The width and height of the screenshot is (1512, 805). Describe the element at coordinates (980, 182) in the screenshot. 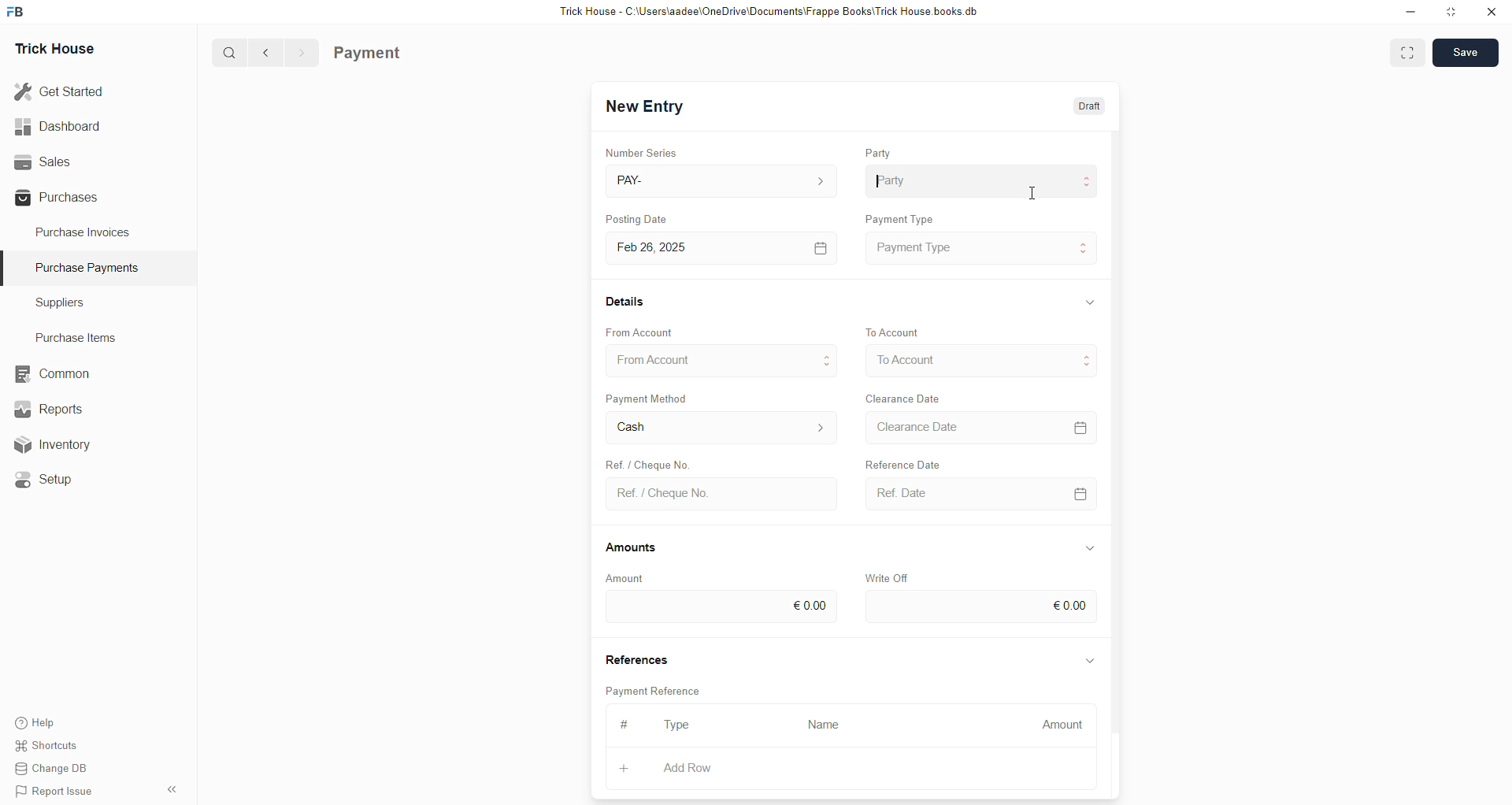

I see `Party` at that location.